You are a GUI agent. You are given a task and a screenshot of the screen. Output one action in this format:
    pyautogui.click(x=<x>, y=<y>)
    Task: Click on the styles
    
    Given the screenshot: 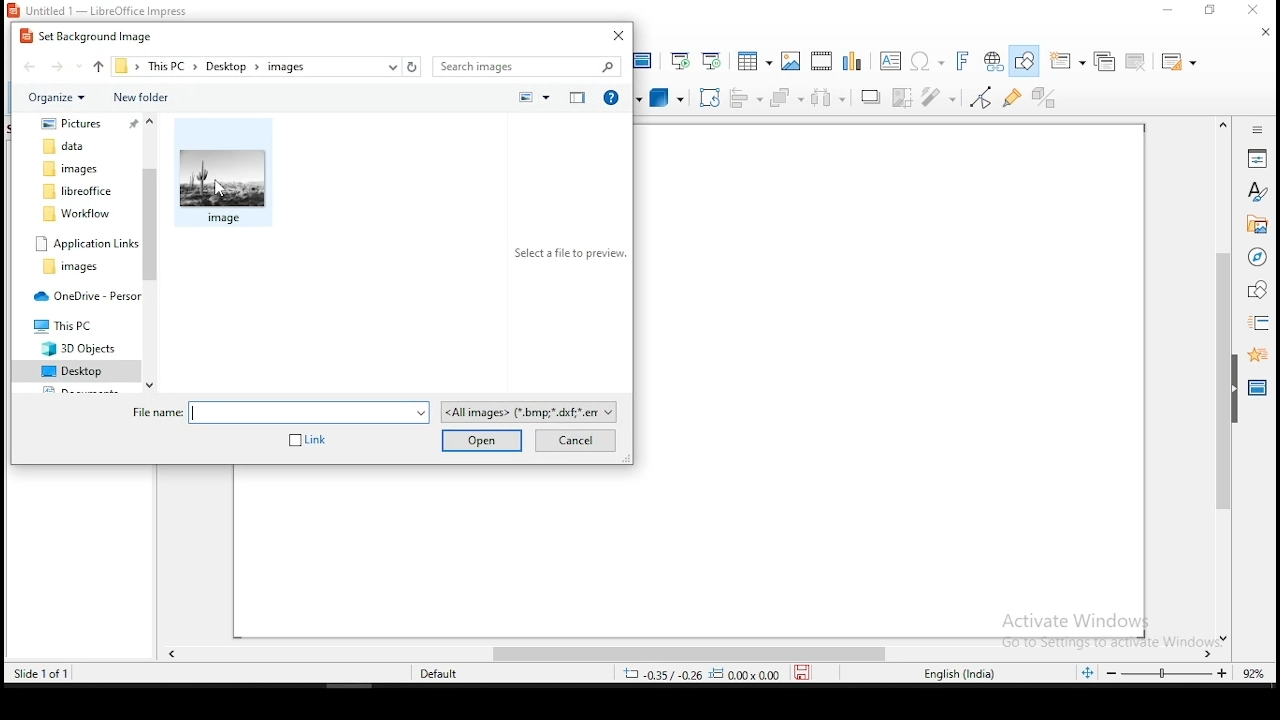 What is the action you would take?
    pyautogui.click(x=1259, y=192)
    